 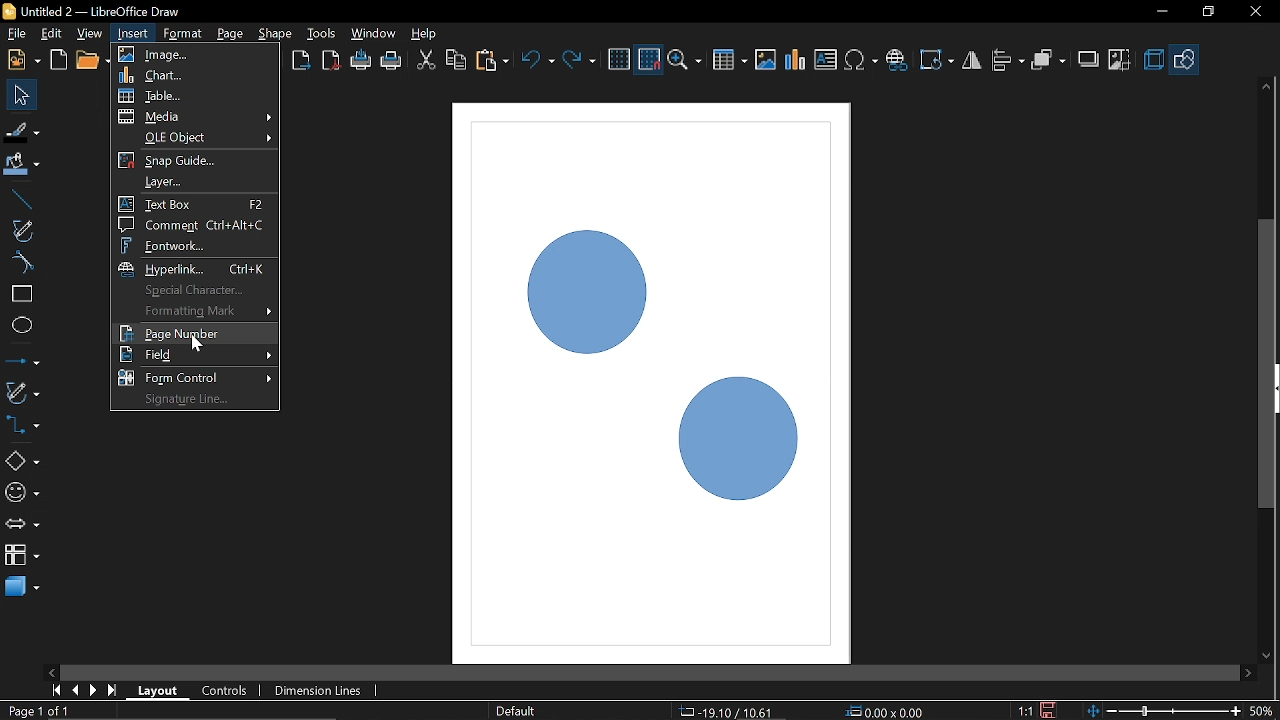 What do you see at coordinates (796, 60) in the screenshot?
I see `Diagram` at bounding box center [796, 60].